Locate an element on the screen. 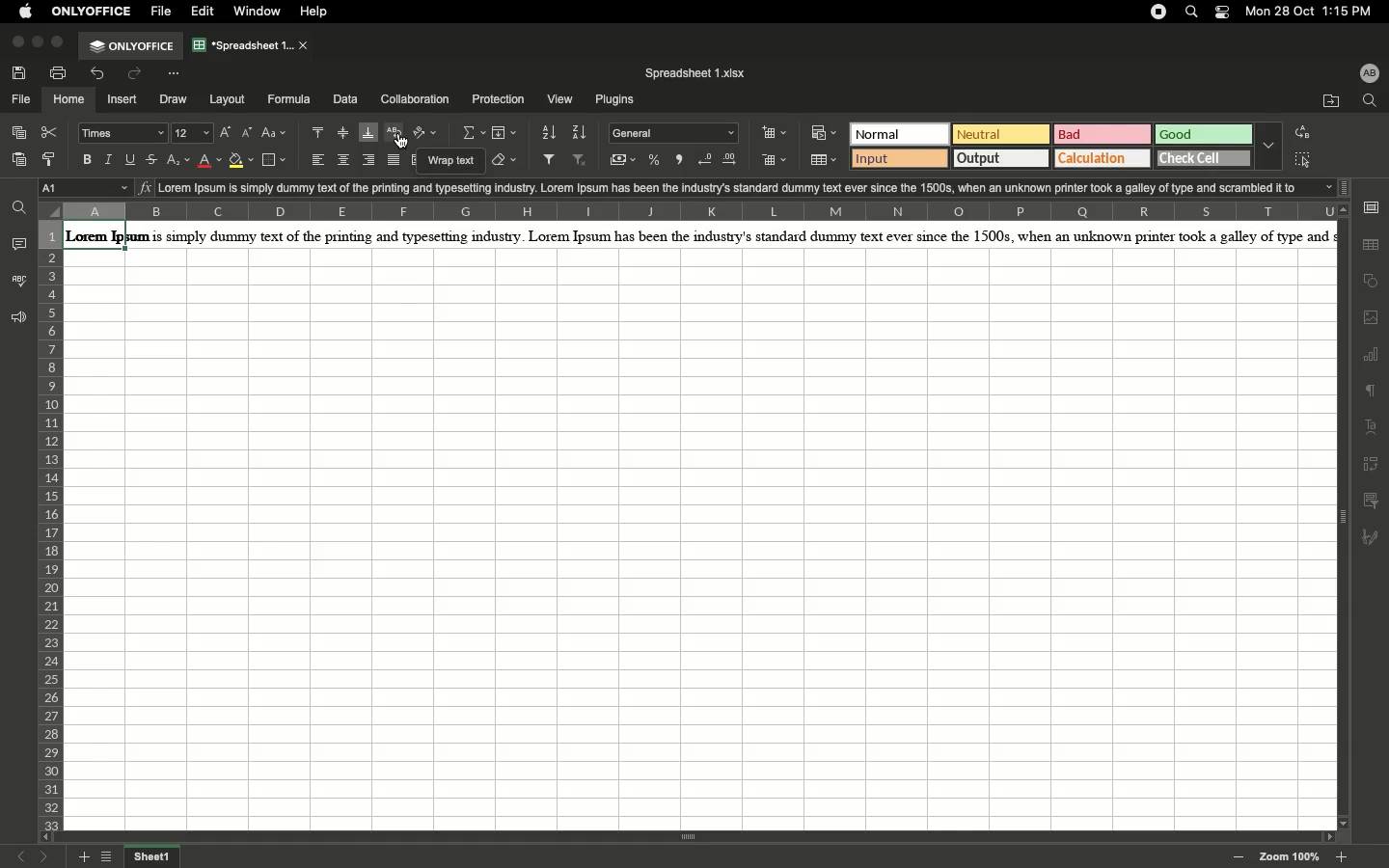  Change case is located at coordinates (277, 134).